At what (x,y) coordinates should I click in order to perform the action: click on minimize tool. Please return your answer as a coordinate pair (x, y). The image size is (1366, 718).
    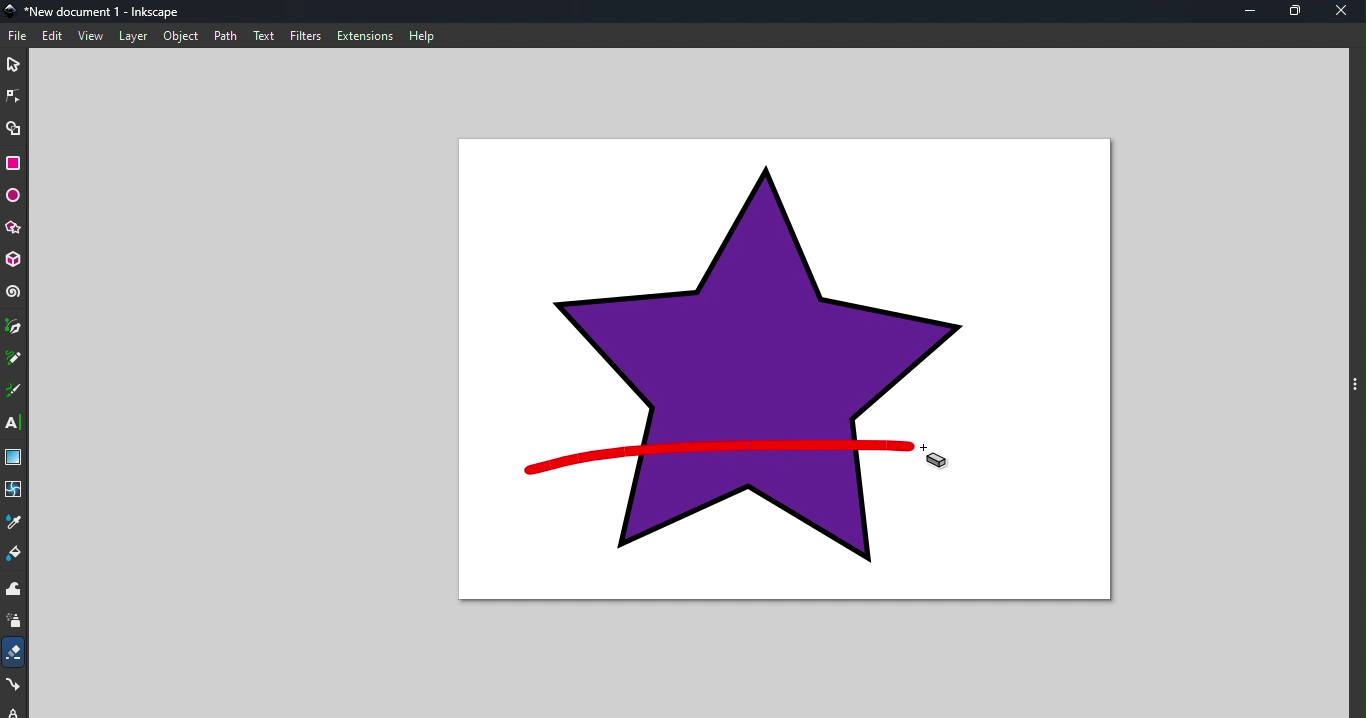
    Looking at the image, I should click on (1249, 11).